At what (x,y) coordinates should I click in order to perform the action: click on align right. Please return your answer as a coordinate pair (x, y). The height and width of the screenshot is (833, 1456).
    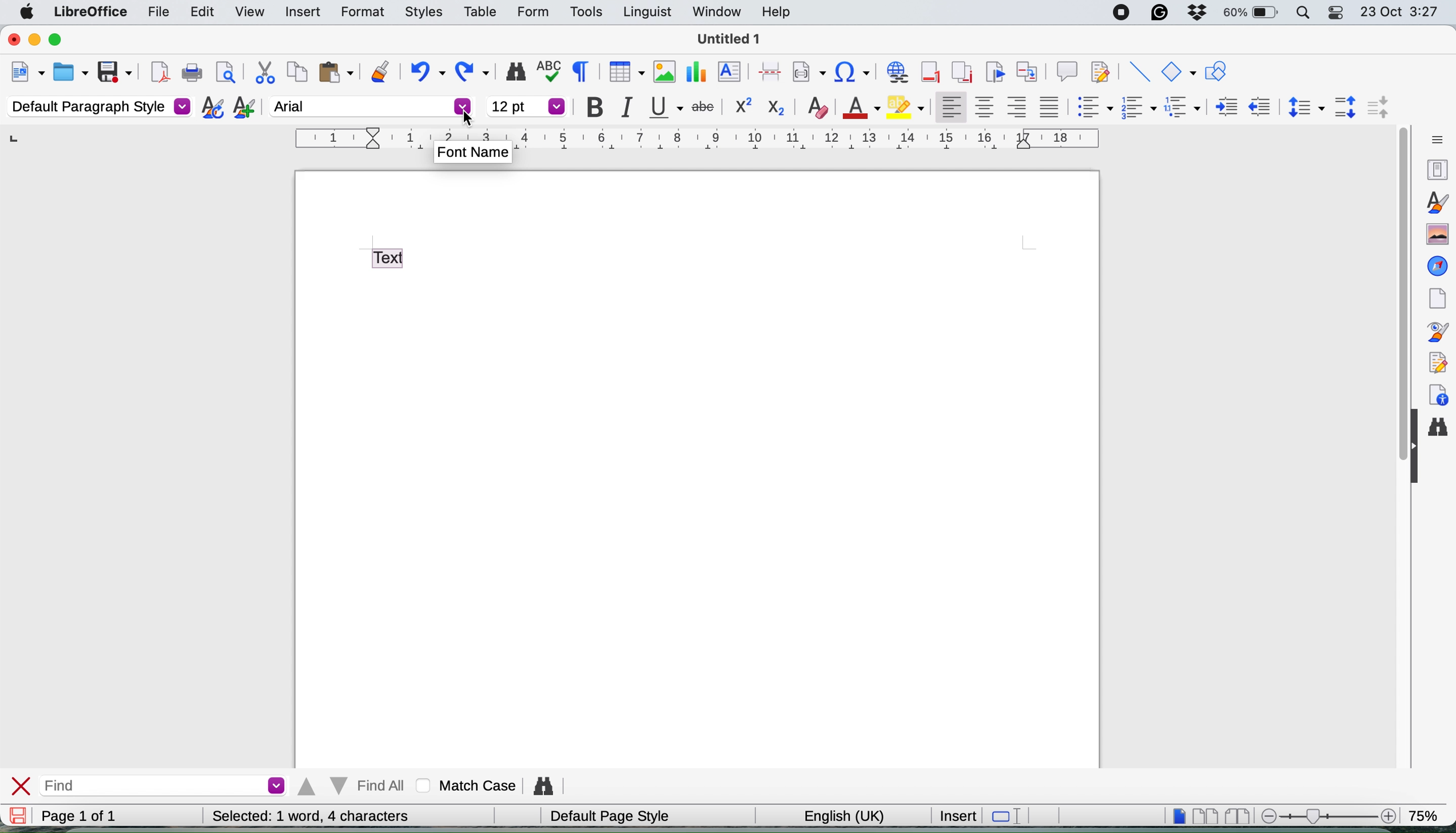
    Looking at the image, I should click on (1018, 109).